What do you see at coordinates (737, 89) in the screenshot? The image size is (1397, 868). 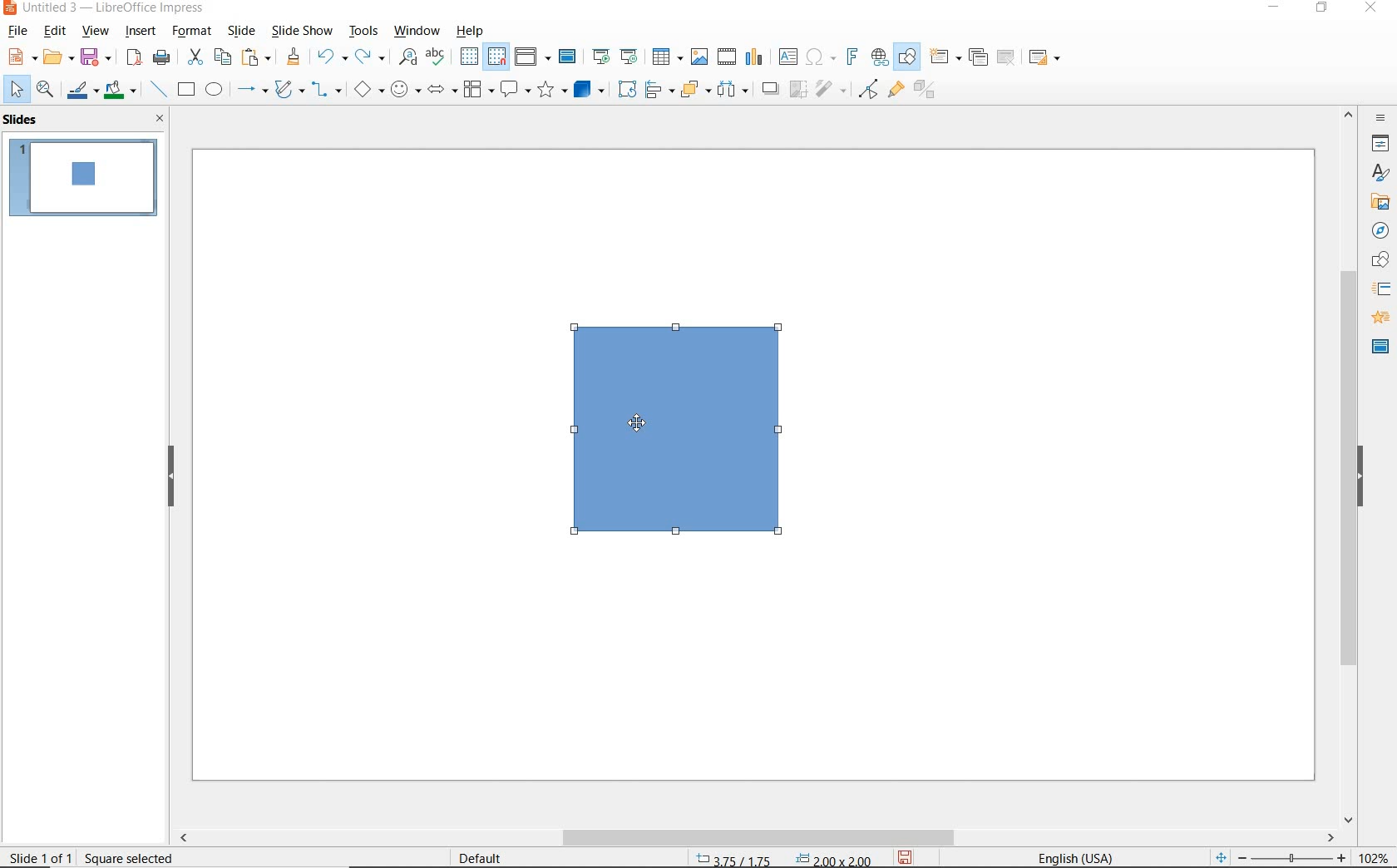 I see `three objects to distribute` at bounding box center [737, 89].